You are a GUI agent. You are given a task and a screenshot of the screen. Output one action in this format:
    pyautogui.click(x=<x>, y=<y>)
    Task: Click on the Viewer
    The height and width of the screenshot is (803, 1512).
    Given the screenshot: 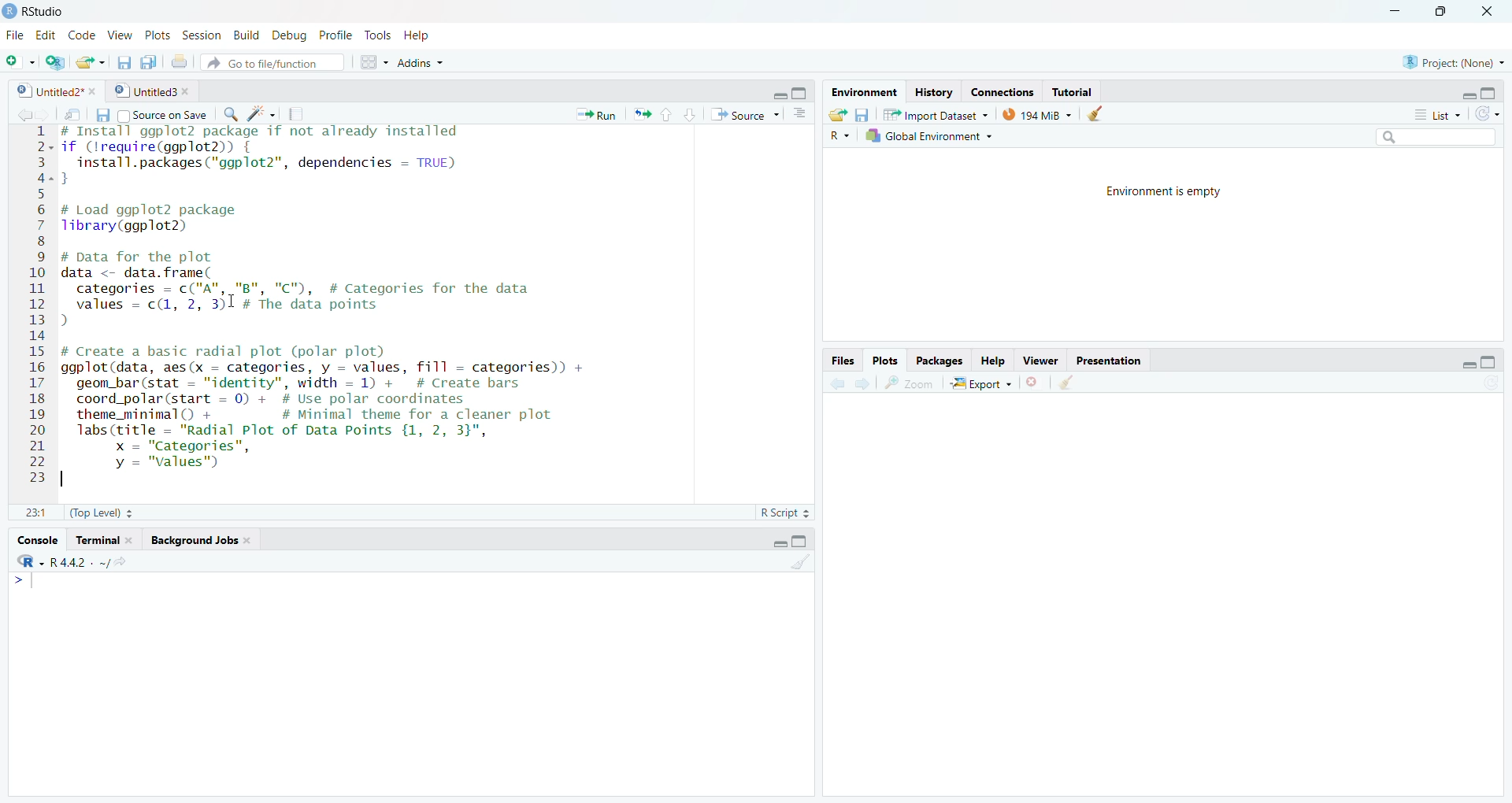 What is the action you would take?
    pyautogui.click(x=1039, y=361)
    